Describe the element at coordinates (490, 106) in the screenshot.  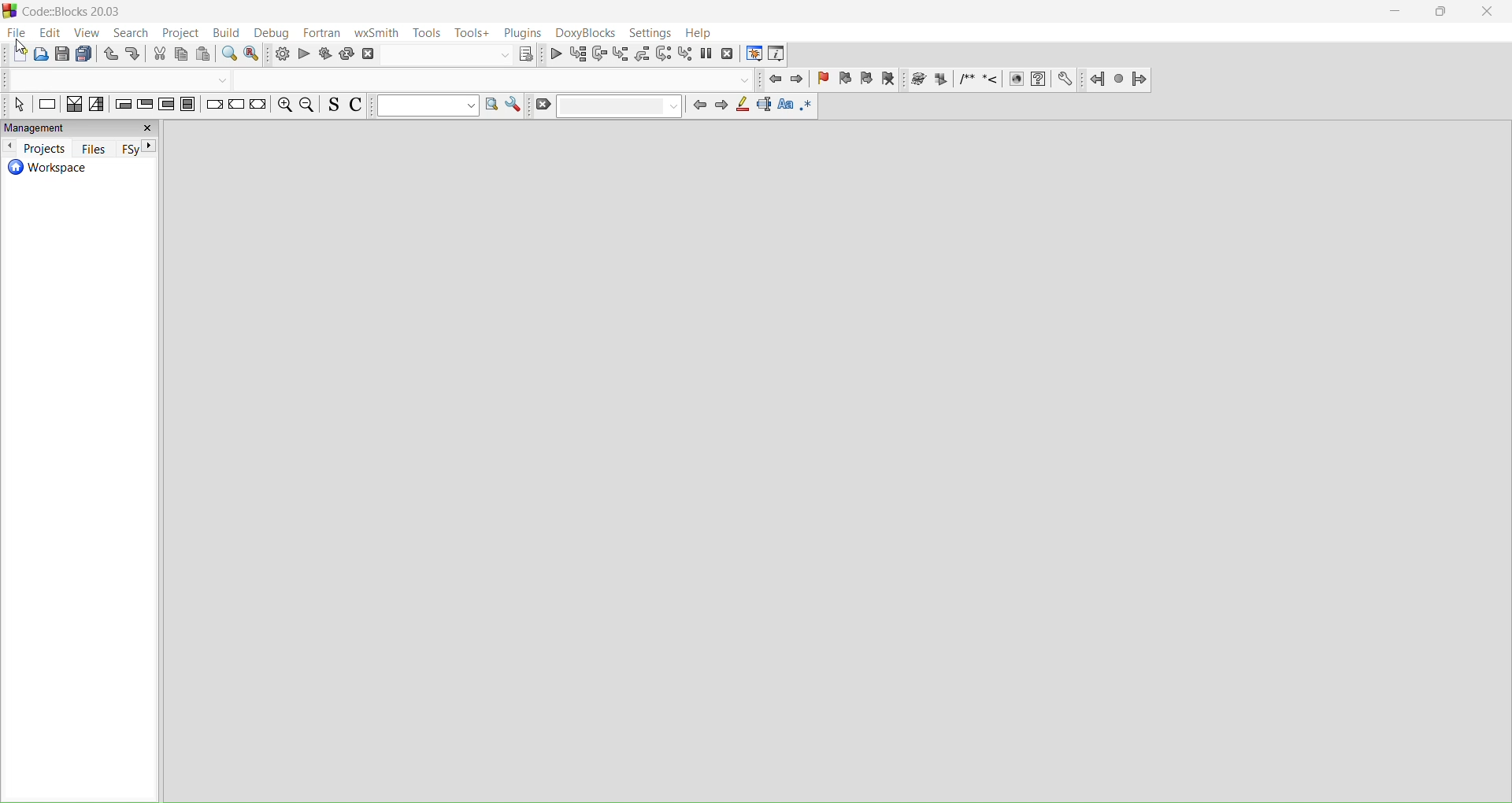
I see `run search` at that location.